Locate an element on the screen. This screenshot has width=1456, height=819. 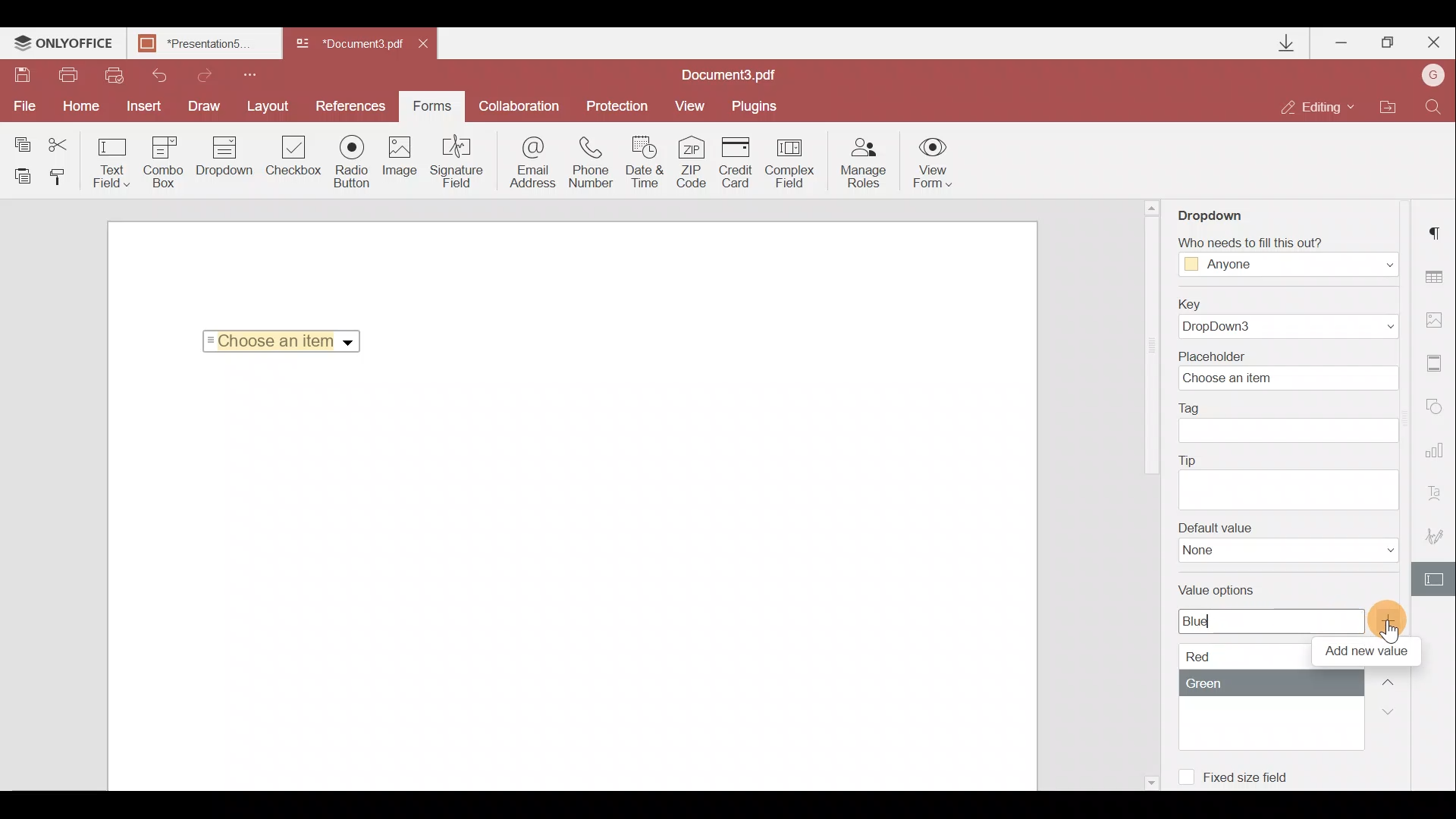
View is located at coordinates (695, 106).